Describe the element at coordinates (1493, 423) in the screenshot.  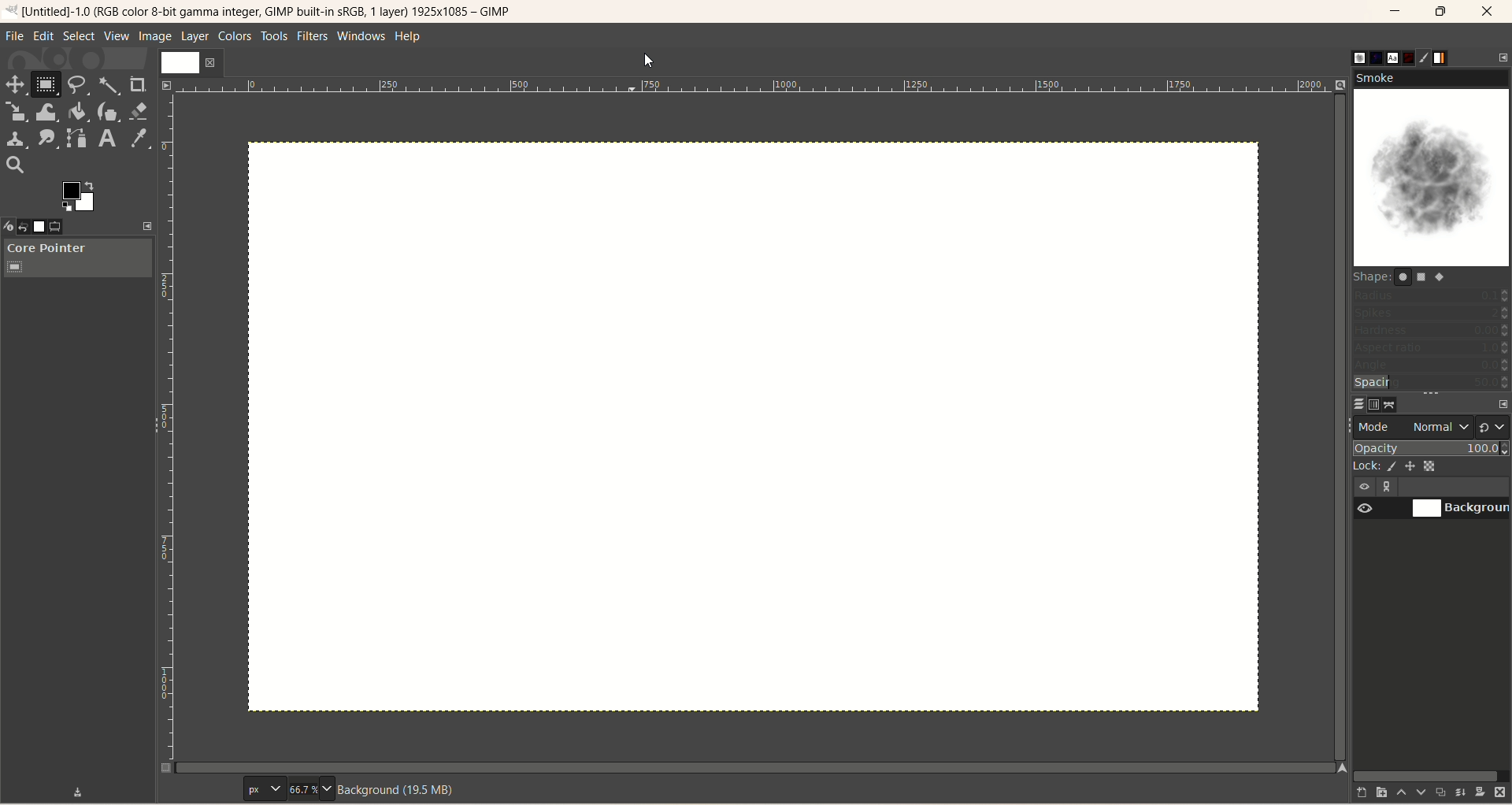
I see `switch mode group` at that location.